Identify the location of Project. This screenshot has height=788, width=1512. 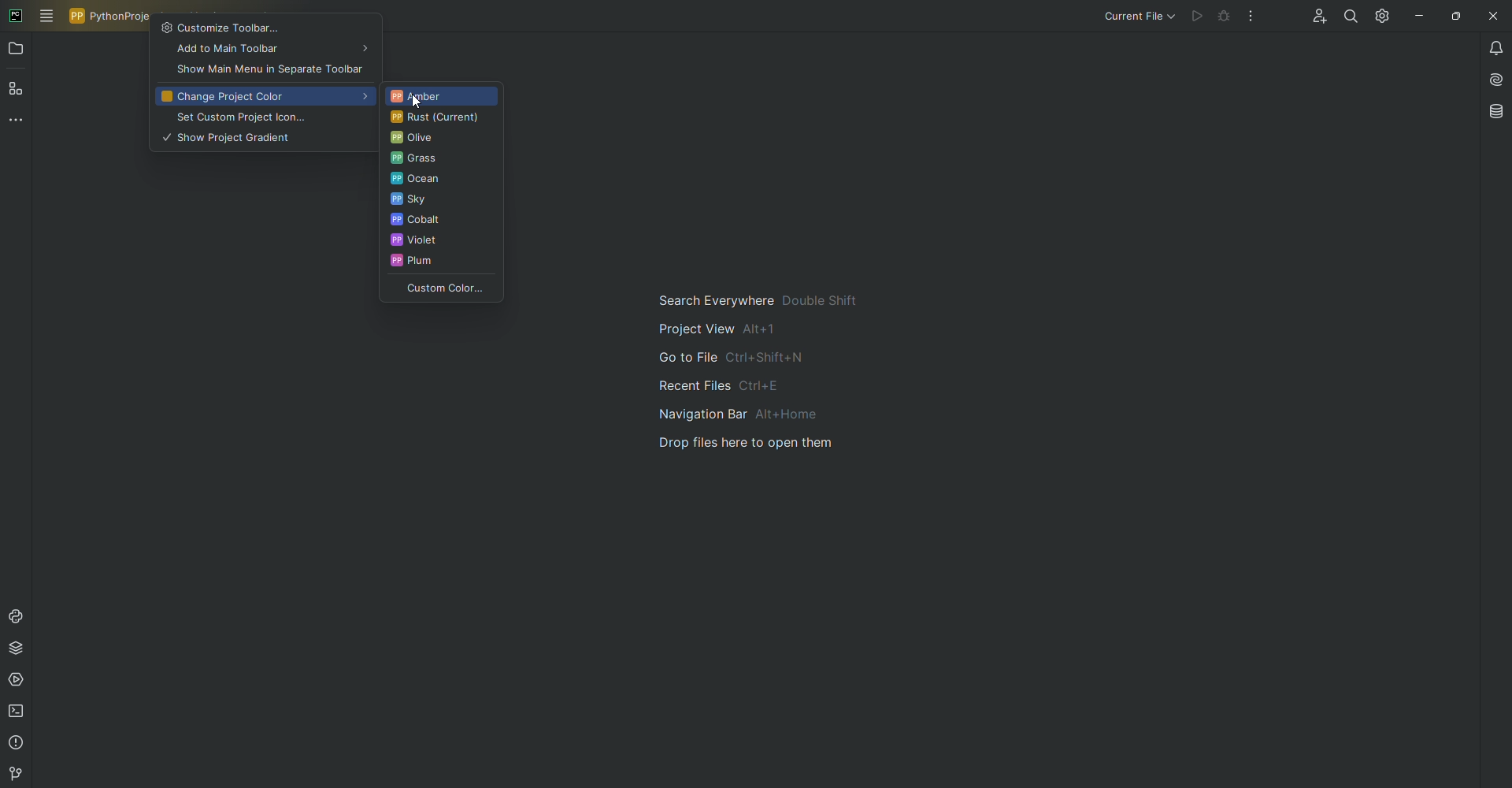
(17, 50).